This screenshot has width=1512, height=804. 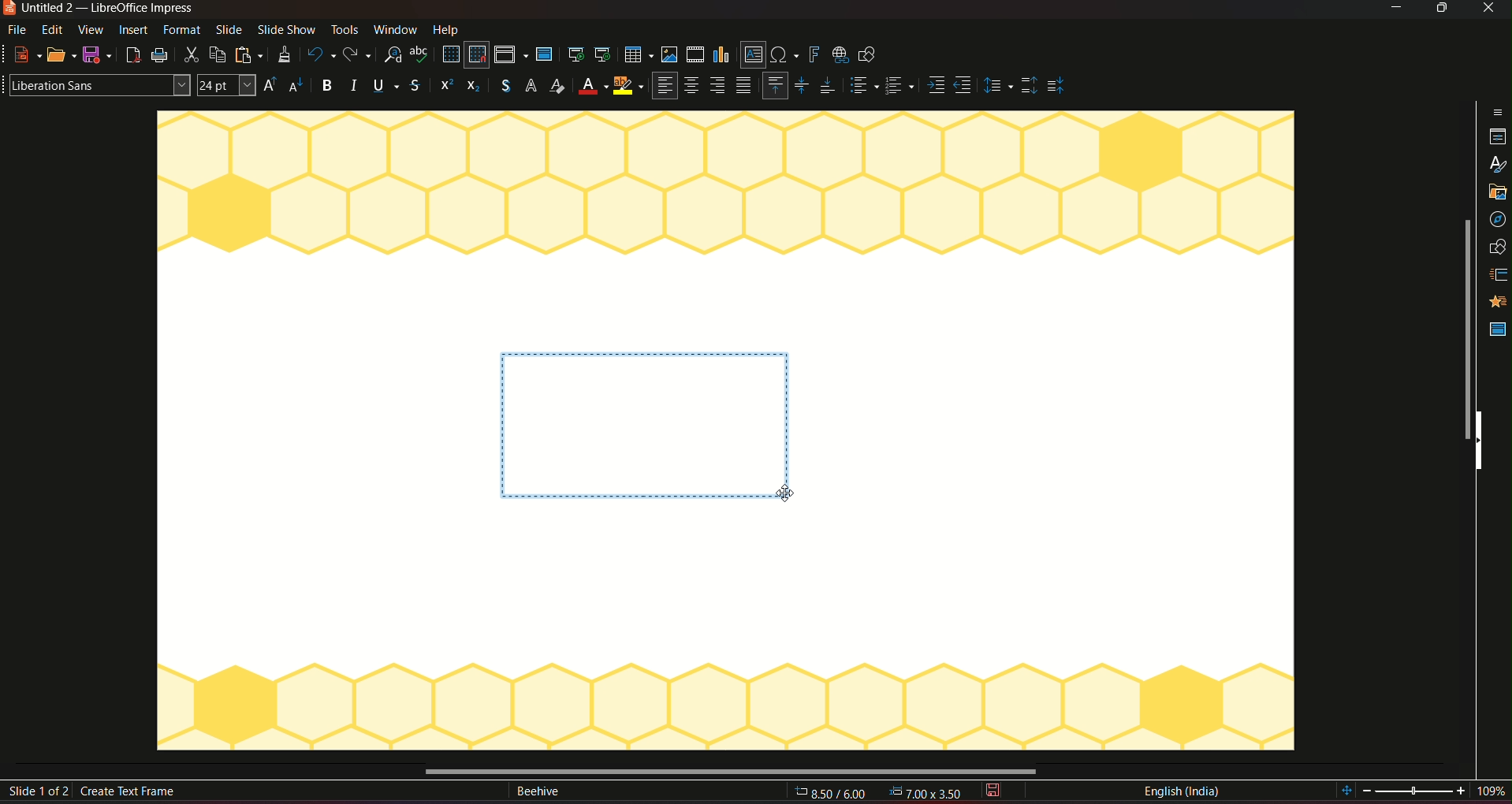 I want to click on close, so click(x=1488, y=9).